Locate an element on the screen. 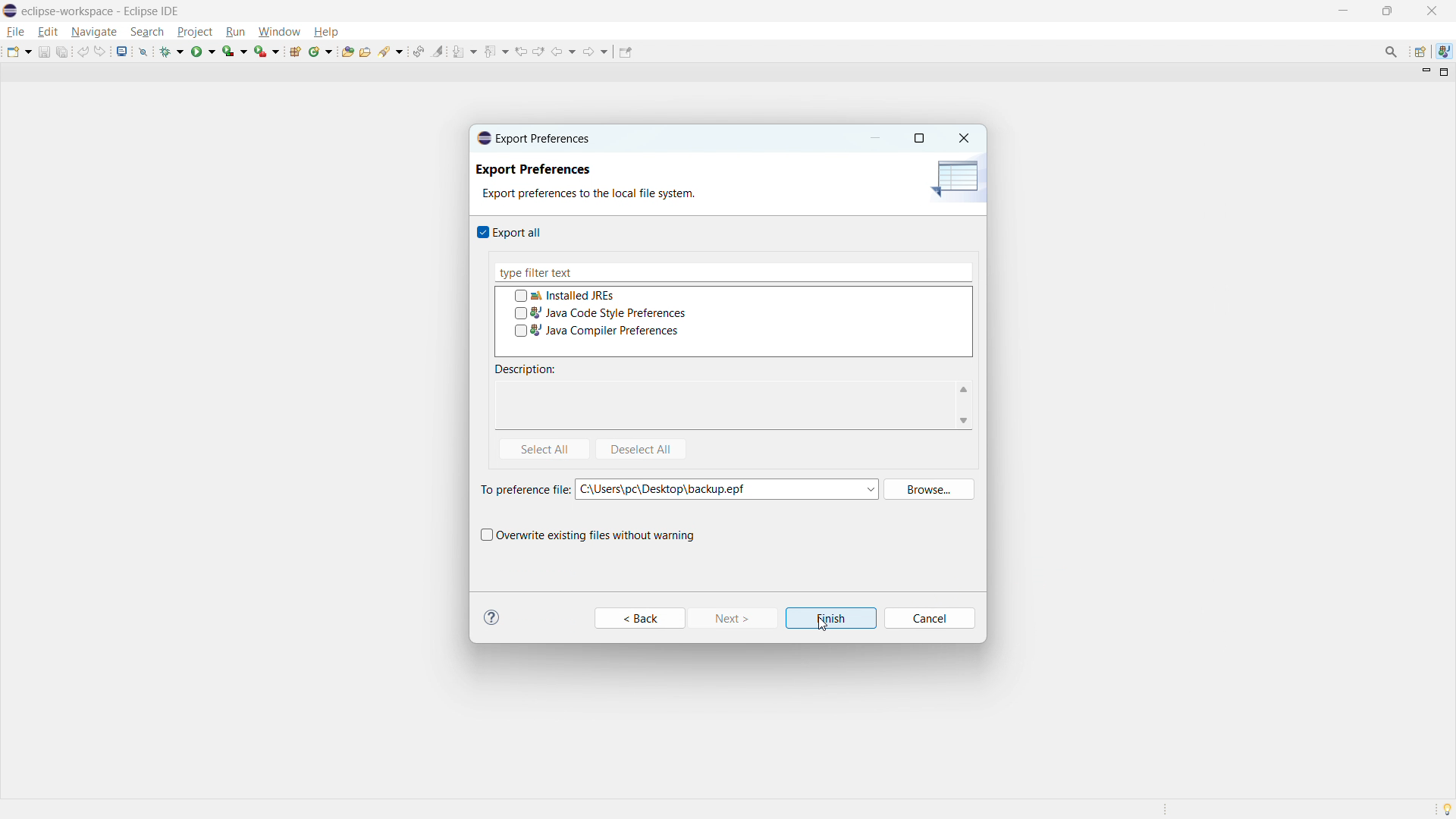 The height and width of the screenshot is (819, 1456). Export Preferences is located at coordinates (548, 134).